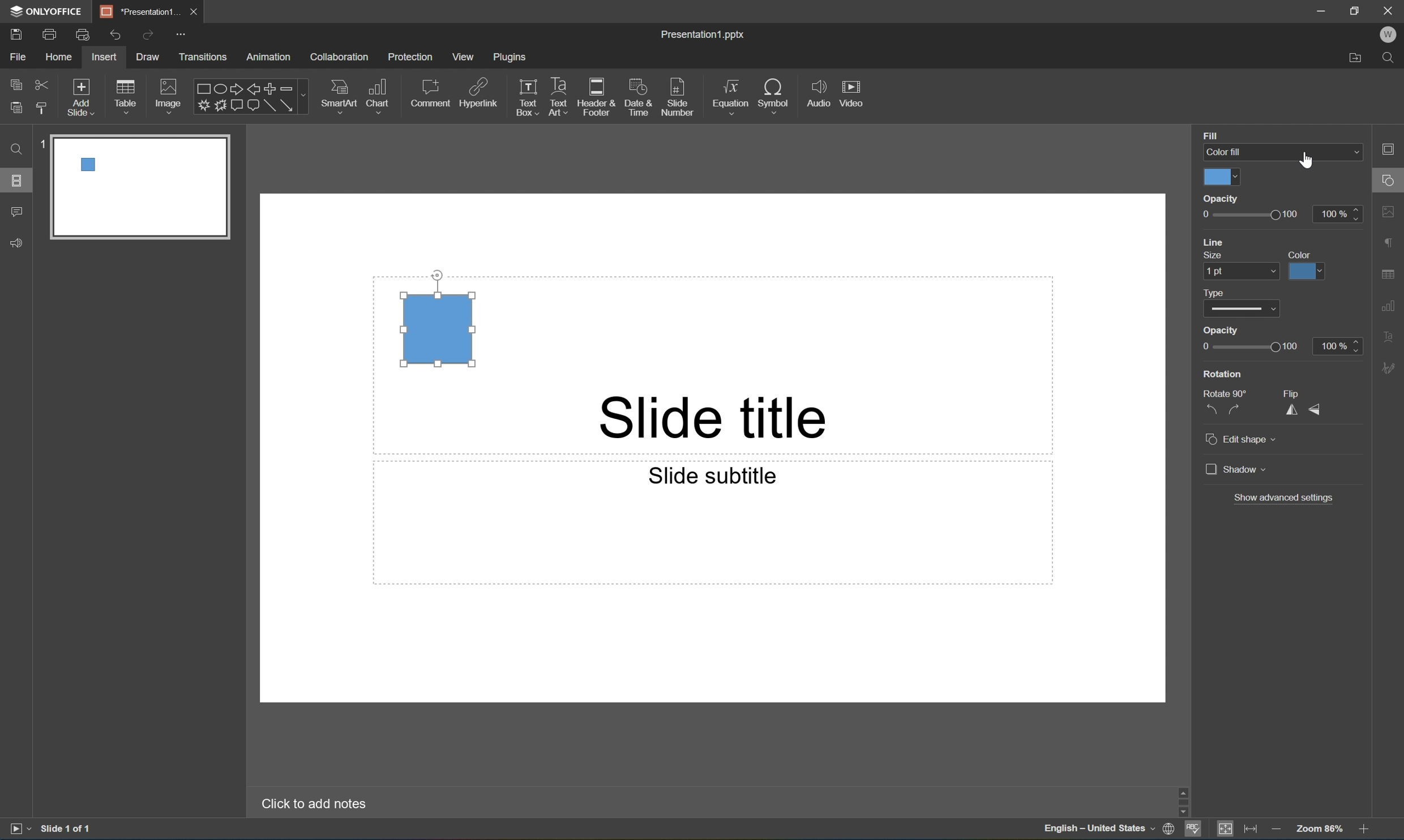 This screenshot has width=1404, height=840. I want to click on Fit to slide, so click(1225, 829).